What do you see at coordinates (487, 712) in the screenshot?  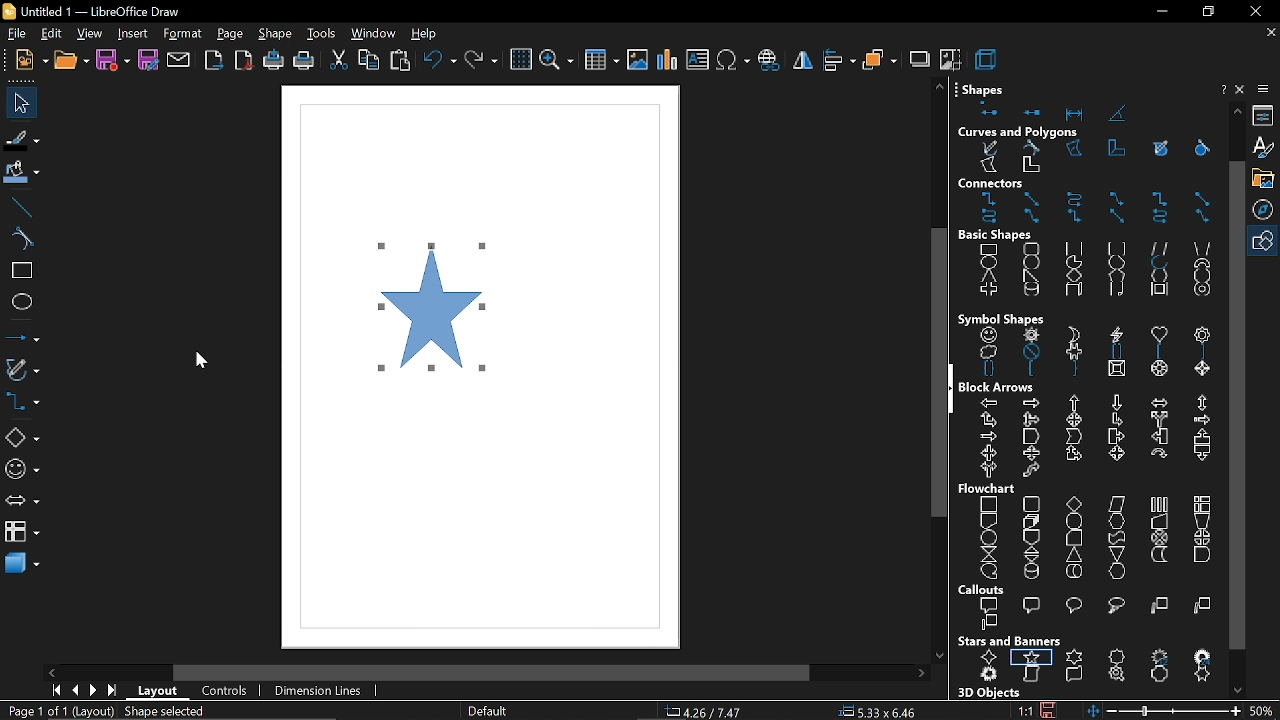 I see `page style` at bounding box center [487, 712].